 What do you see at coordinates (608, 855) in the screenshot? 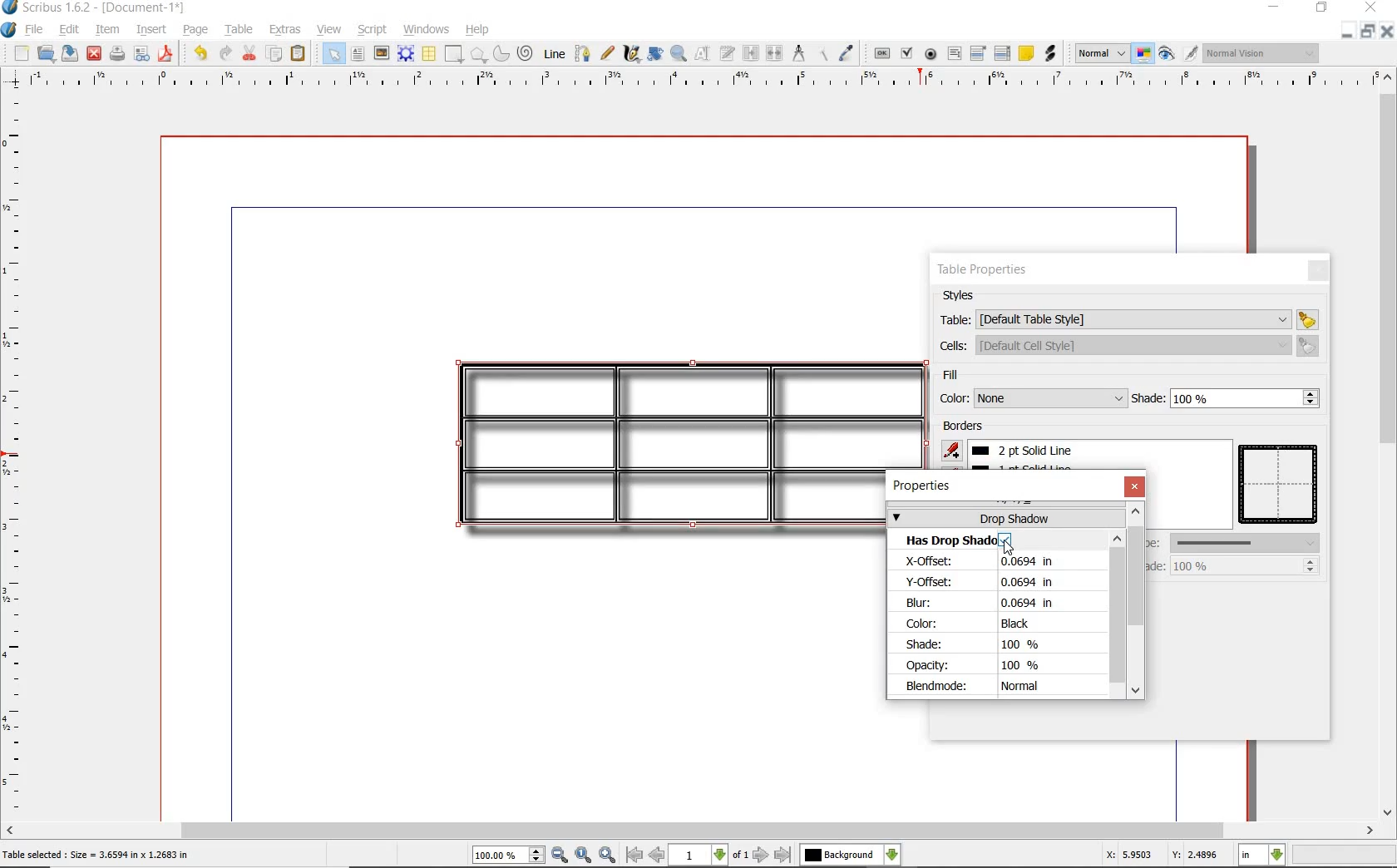
I see `zoom in` at bounding box center [608, 855].